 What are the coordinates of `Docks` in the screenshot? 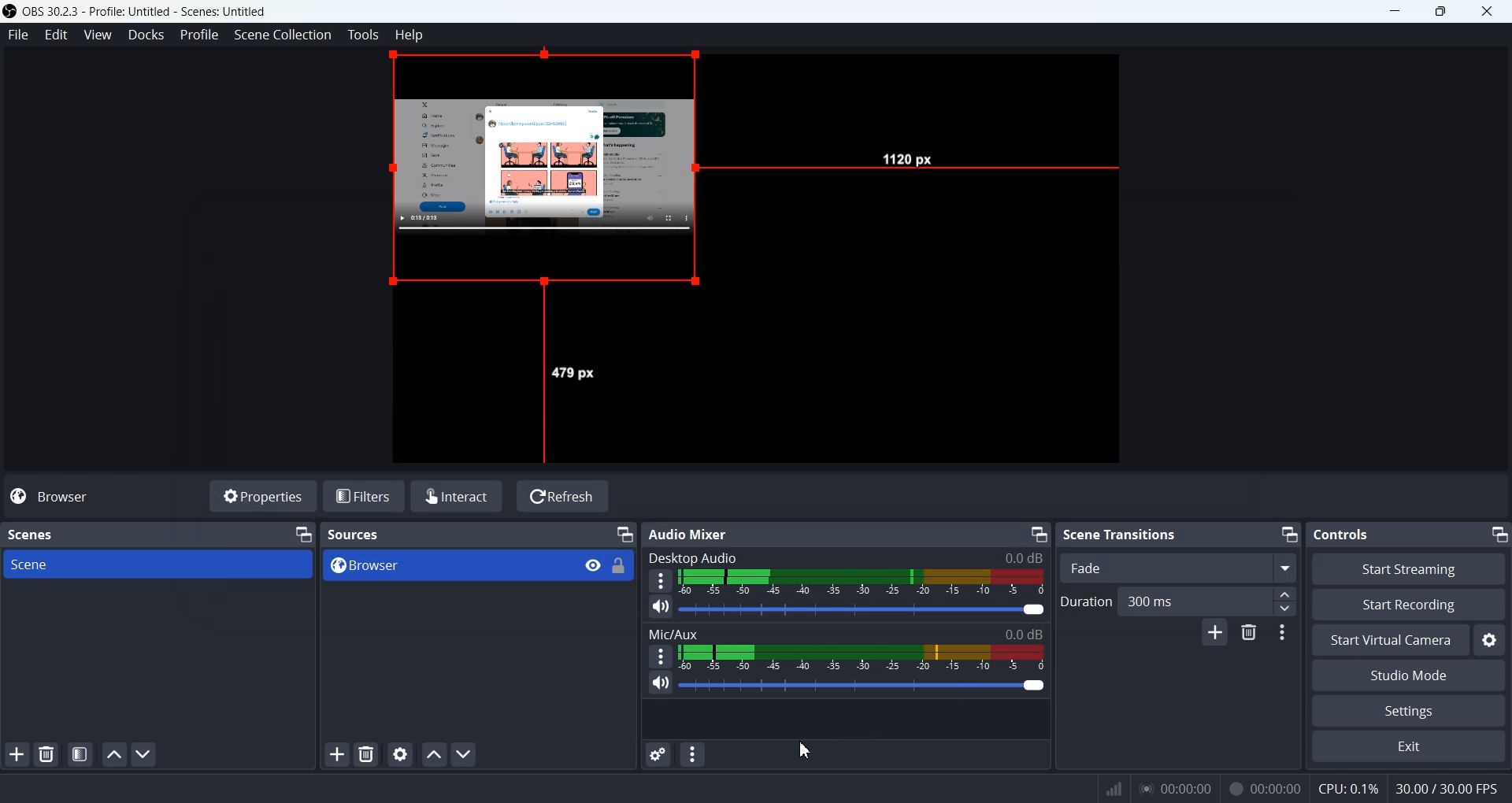 It's located at (146, 35).